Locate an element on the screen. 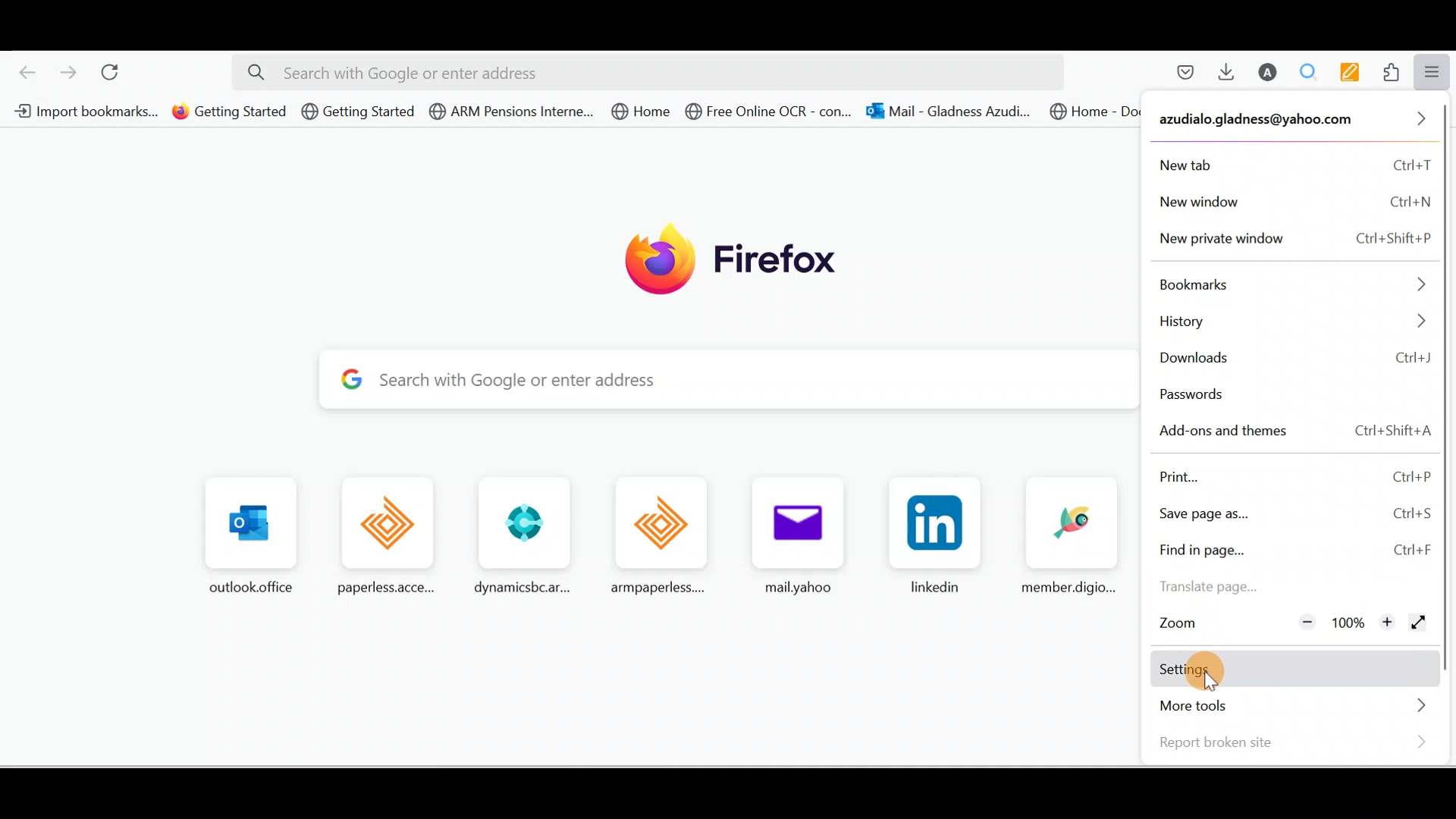 The image size is (1456, 819). Multiple search and highlight is located at coordinates (1313, 72).